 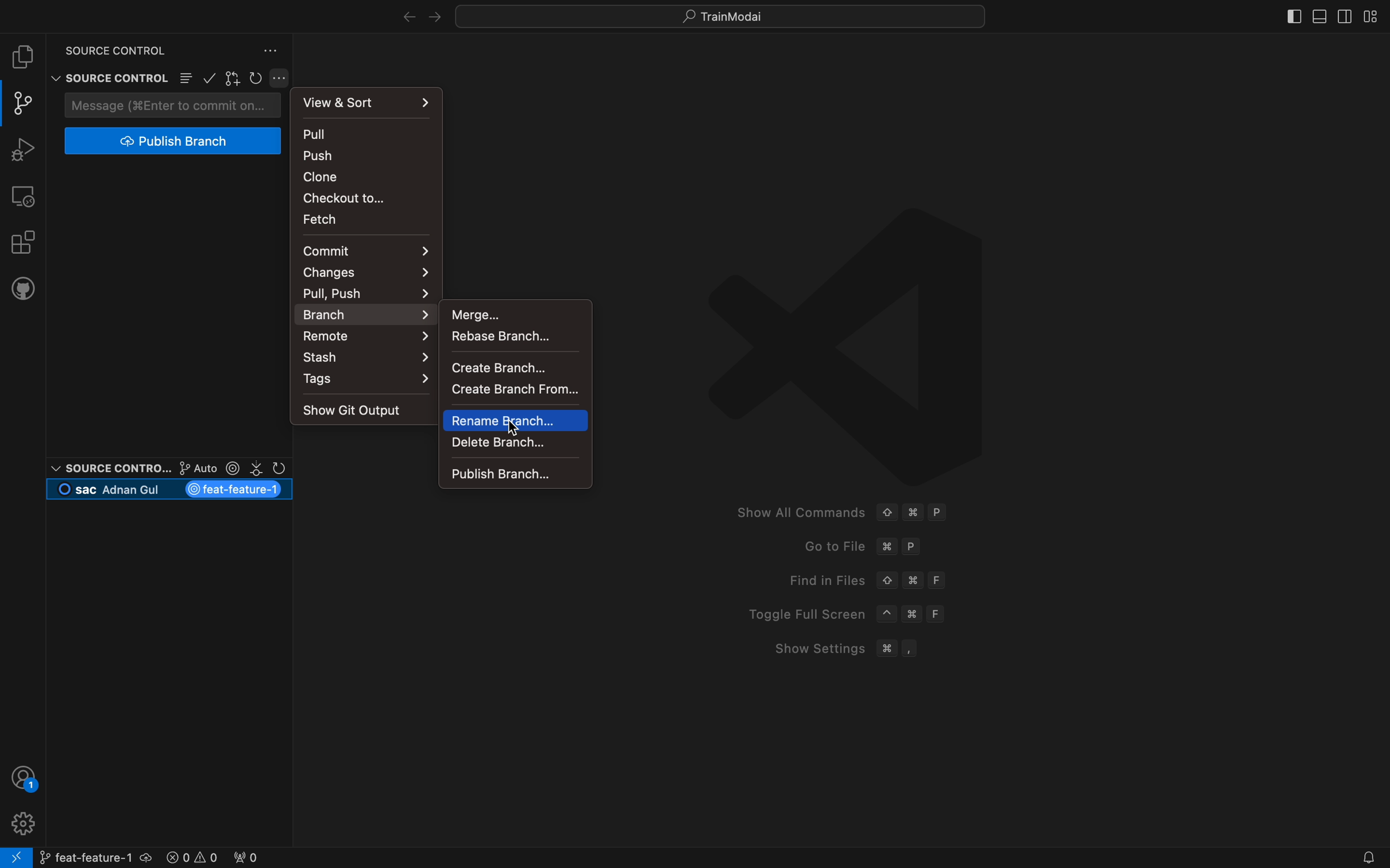 I want to click on stash, so click(x=362, y=358).